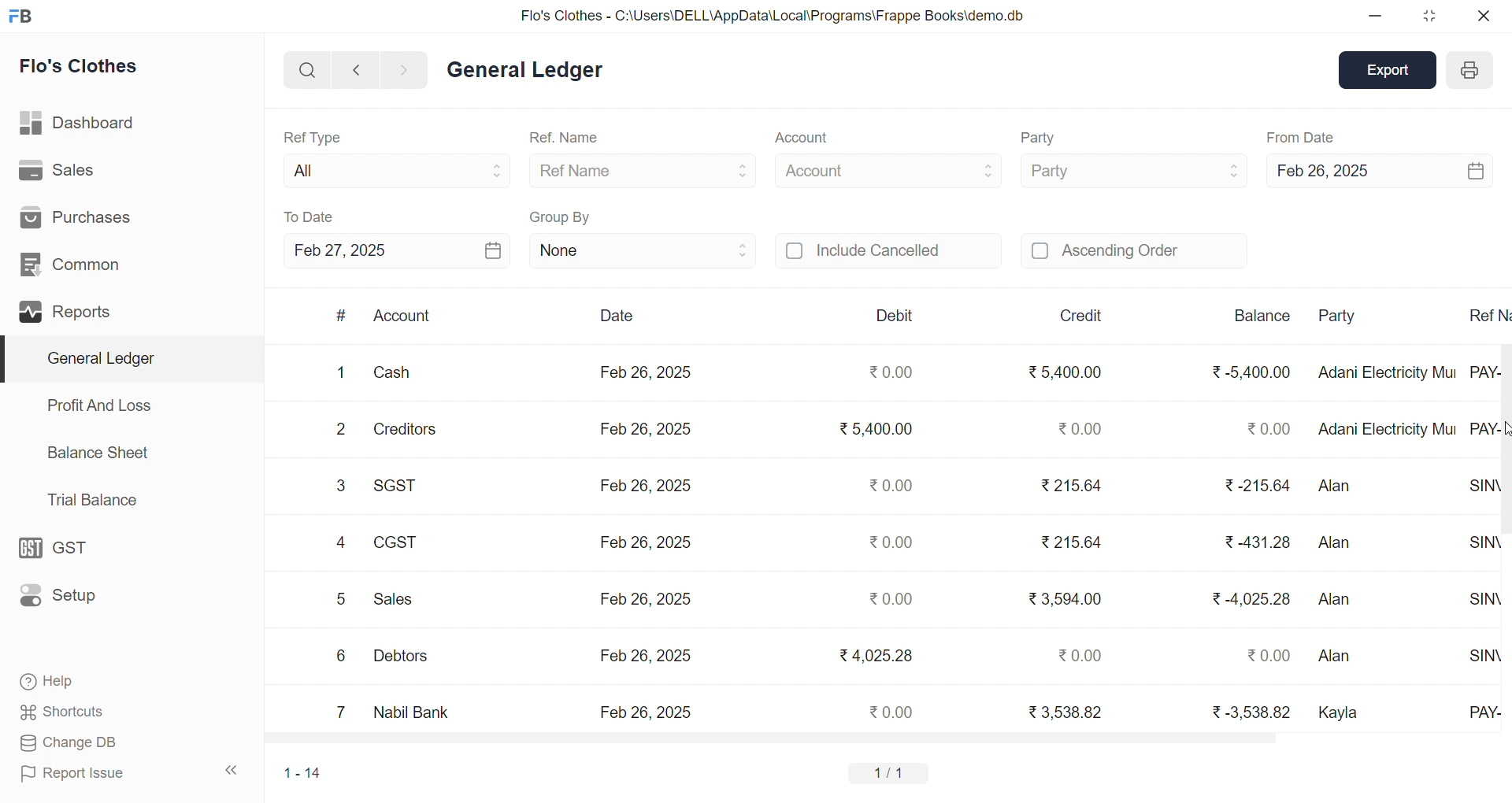 The width and height of the screenshot is (1512, 803). What do you see at coordinates (398, 597) in the screenshot?
I see `Sales` at bounding box center [398, 597].